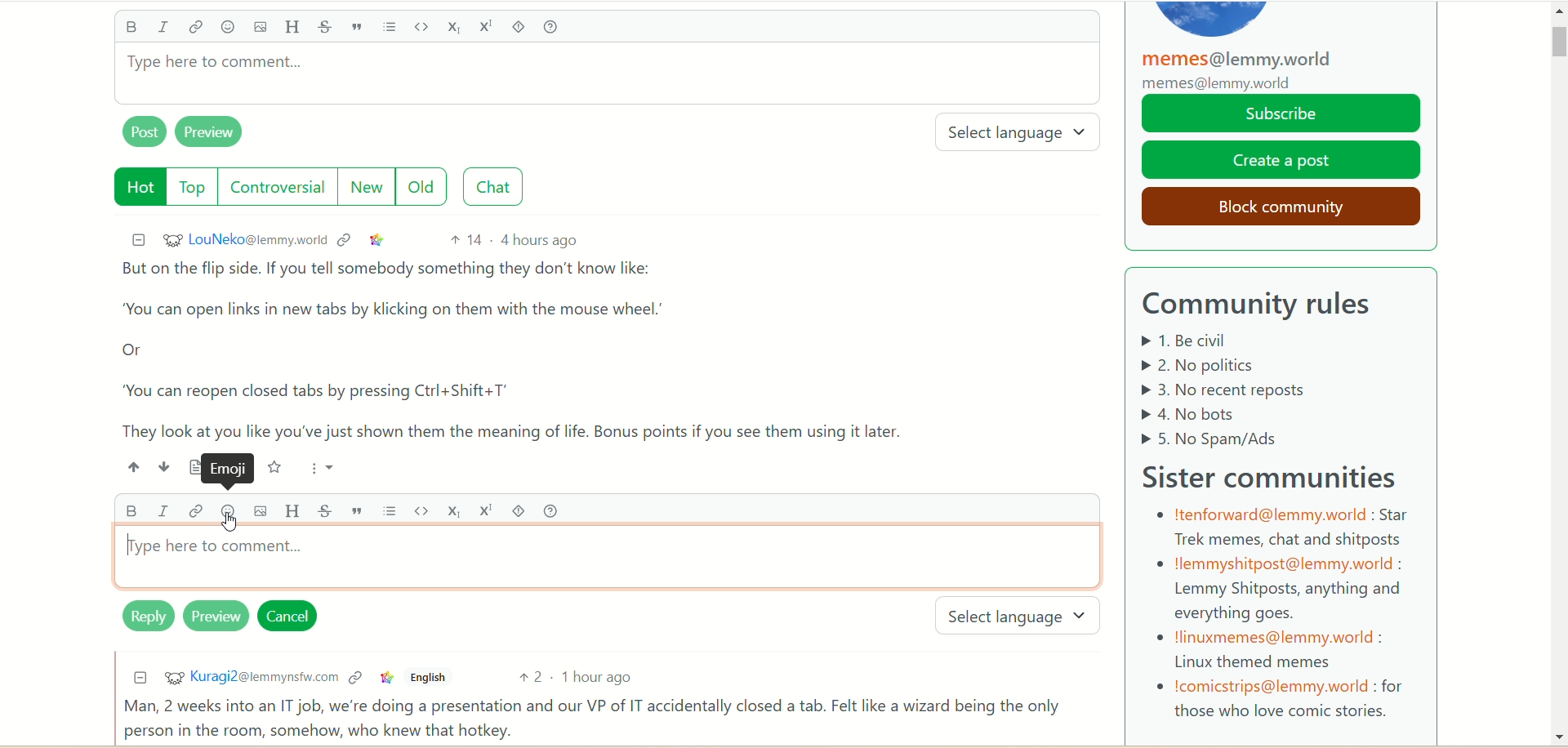 The height and width of the screenshot is (748, 1568). Describe the element at coordinates (369, 187) in the screenshot. I see `new` at that location.